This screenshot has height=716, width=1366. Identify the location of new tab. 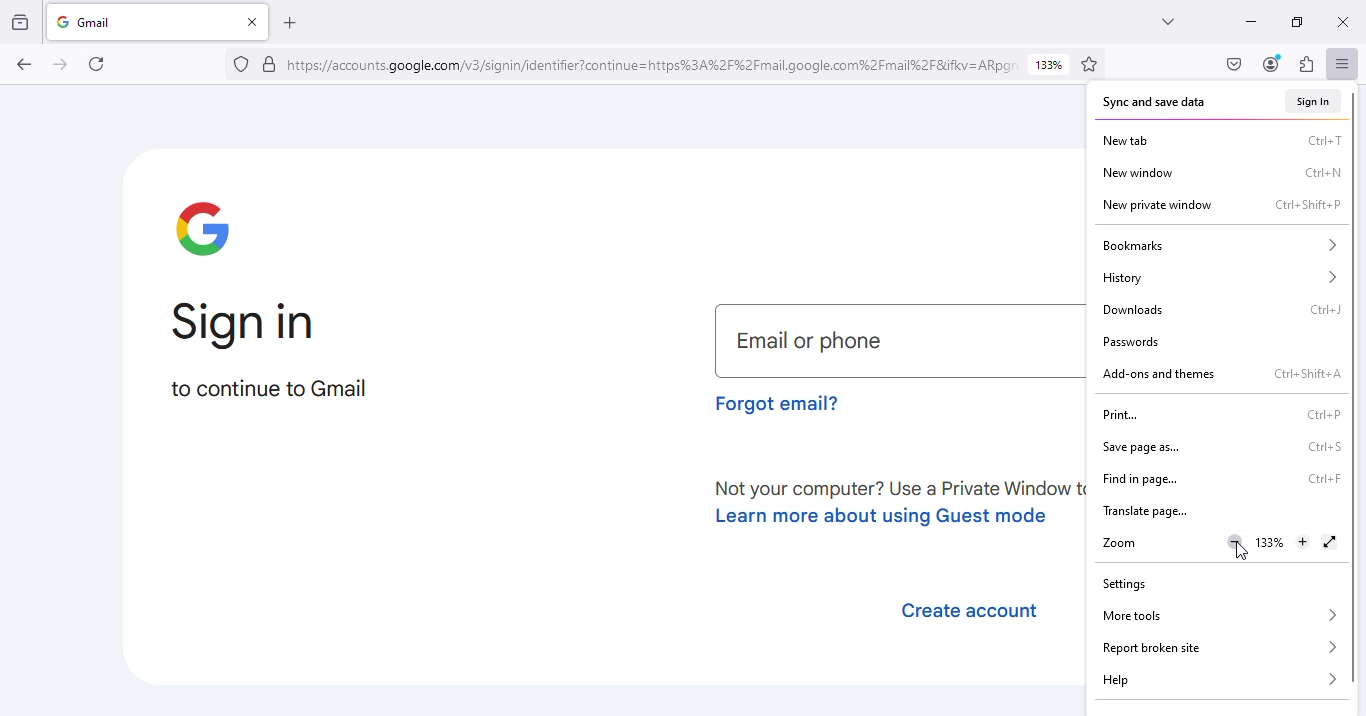
(1125, 140).